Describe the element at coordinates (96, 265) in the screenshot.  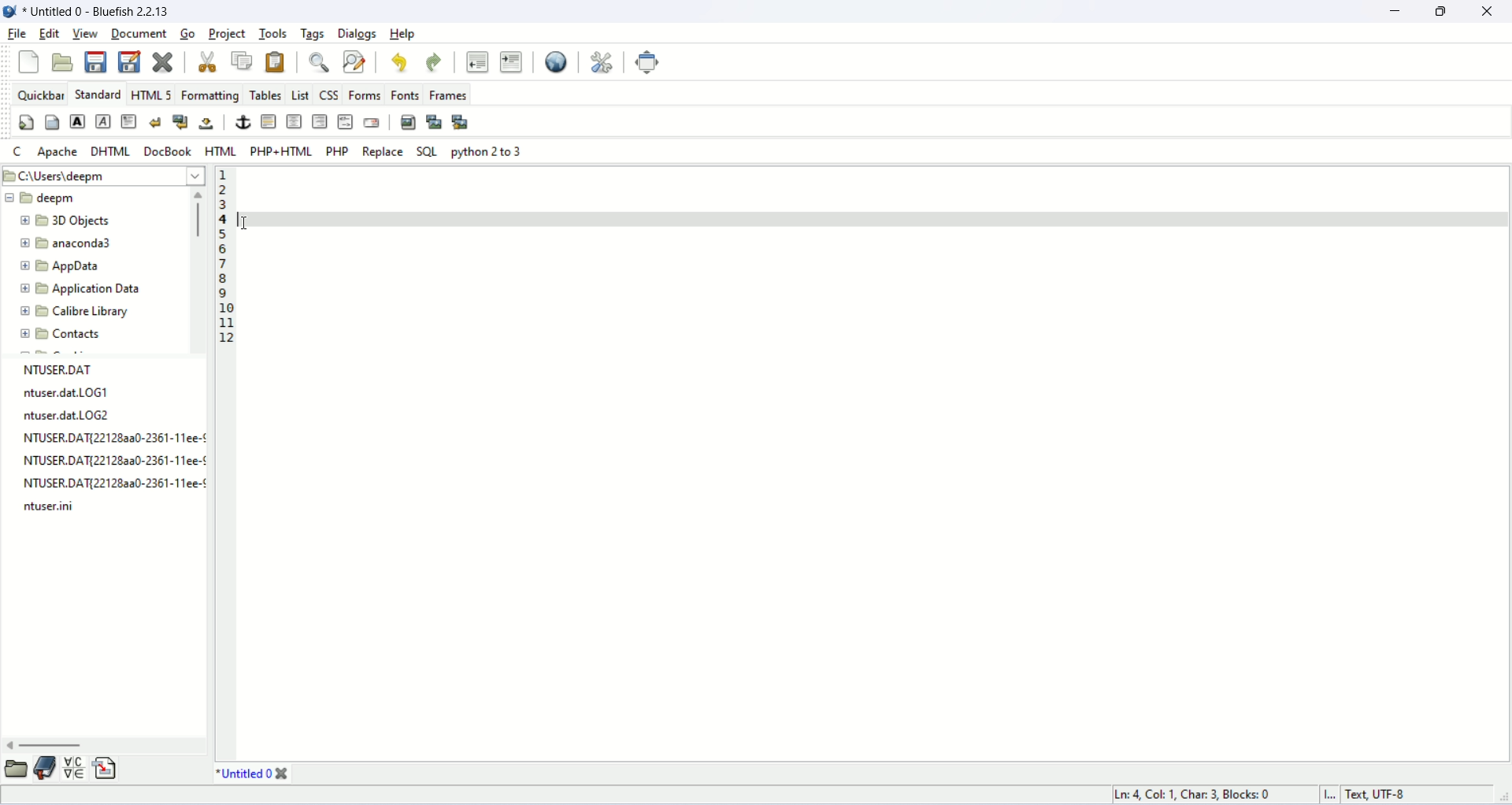
I see `folder name` at that location.